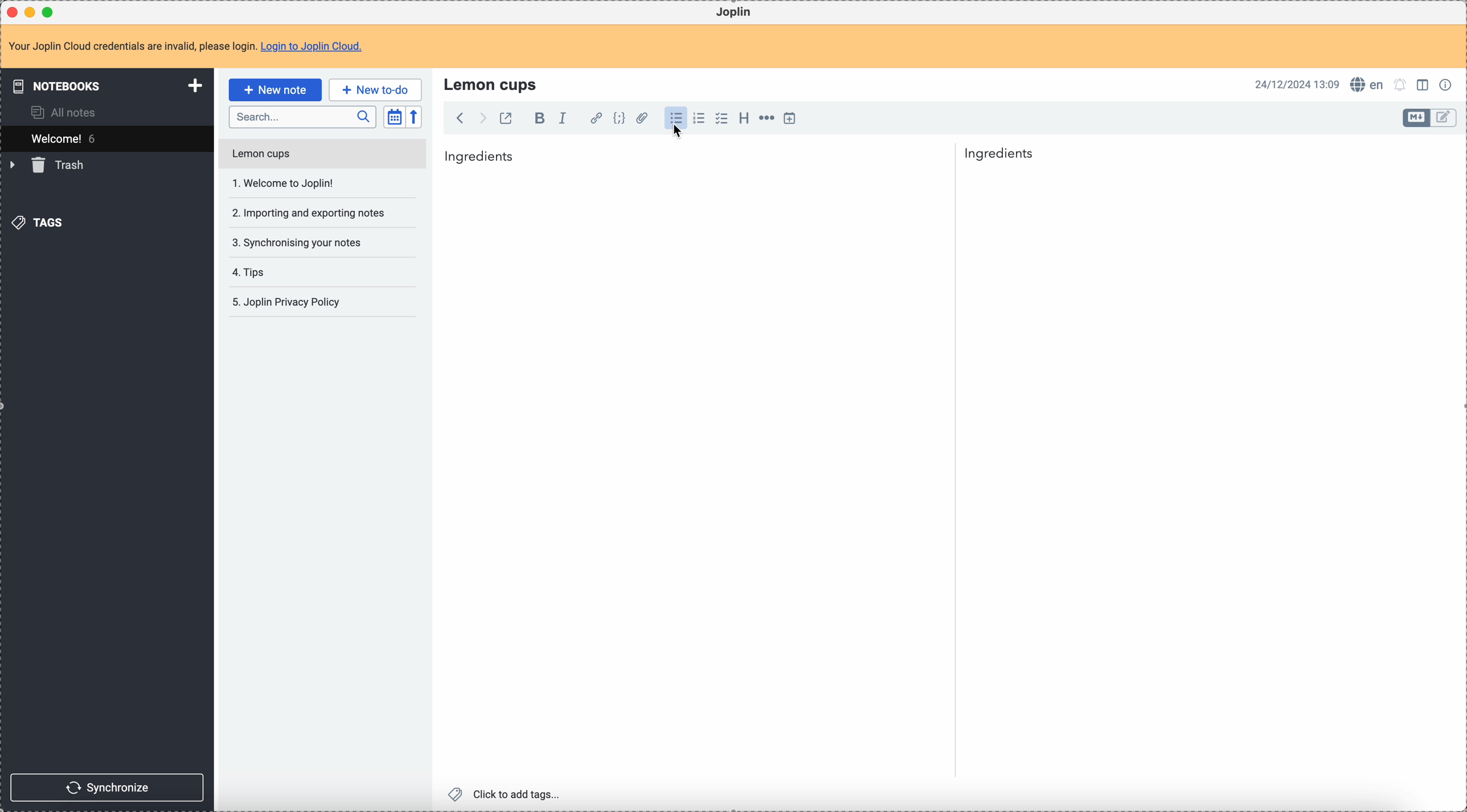  What do you see at coordinates (505, 120) in the screenshot?
I see `toggle external editing` at bounding box center [505, 120].